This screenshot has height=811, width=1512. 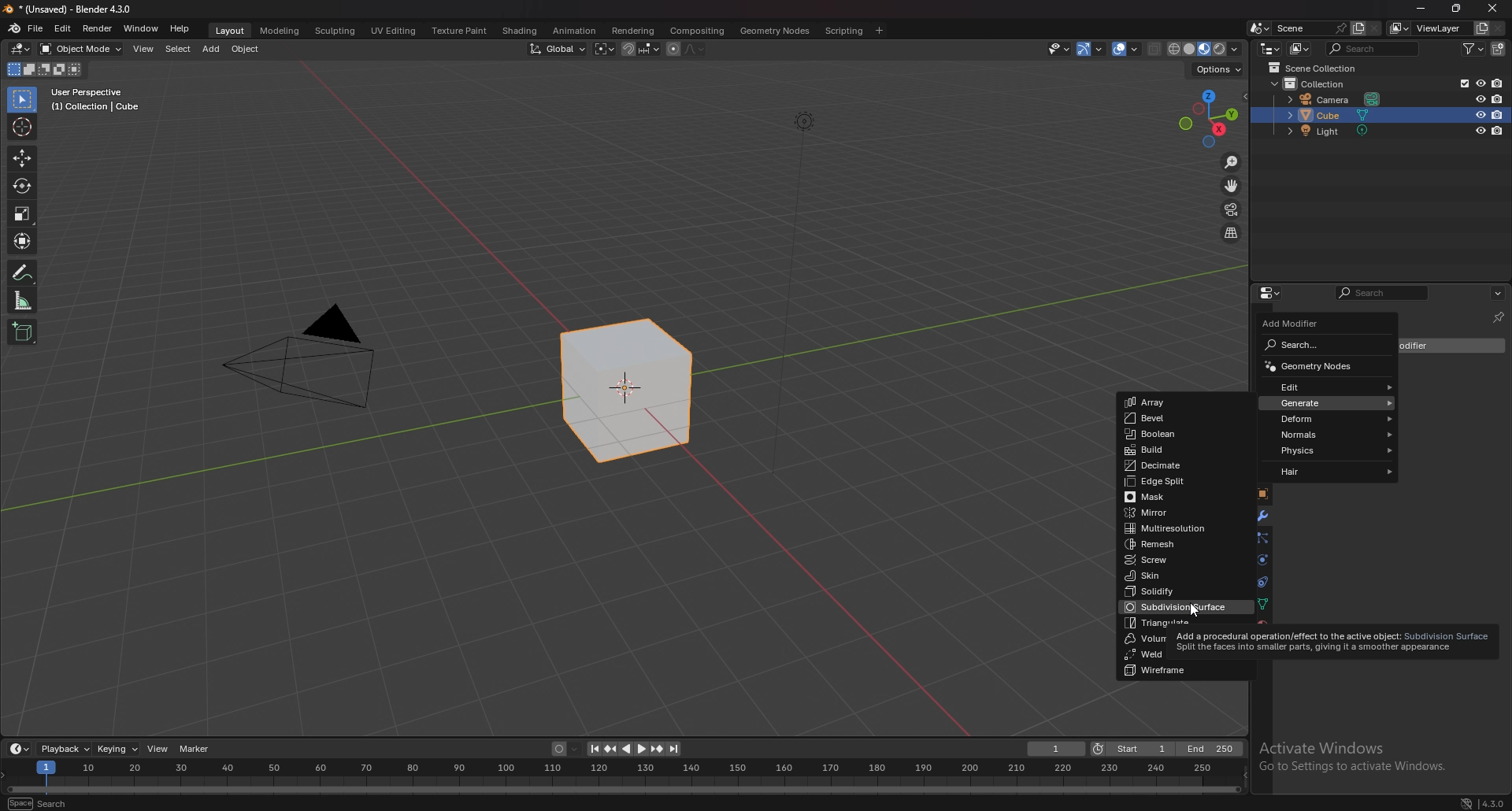 What do you see at coordinates (196, 750) in the screenshot?
I see `marker` at bounding box center [196, 750].